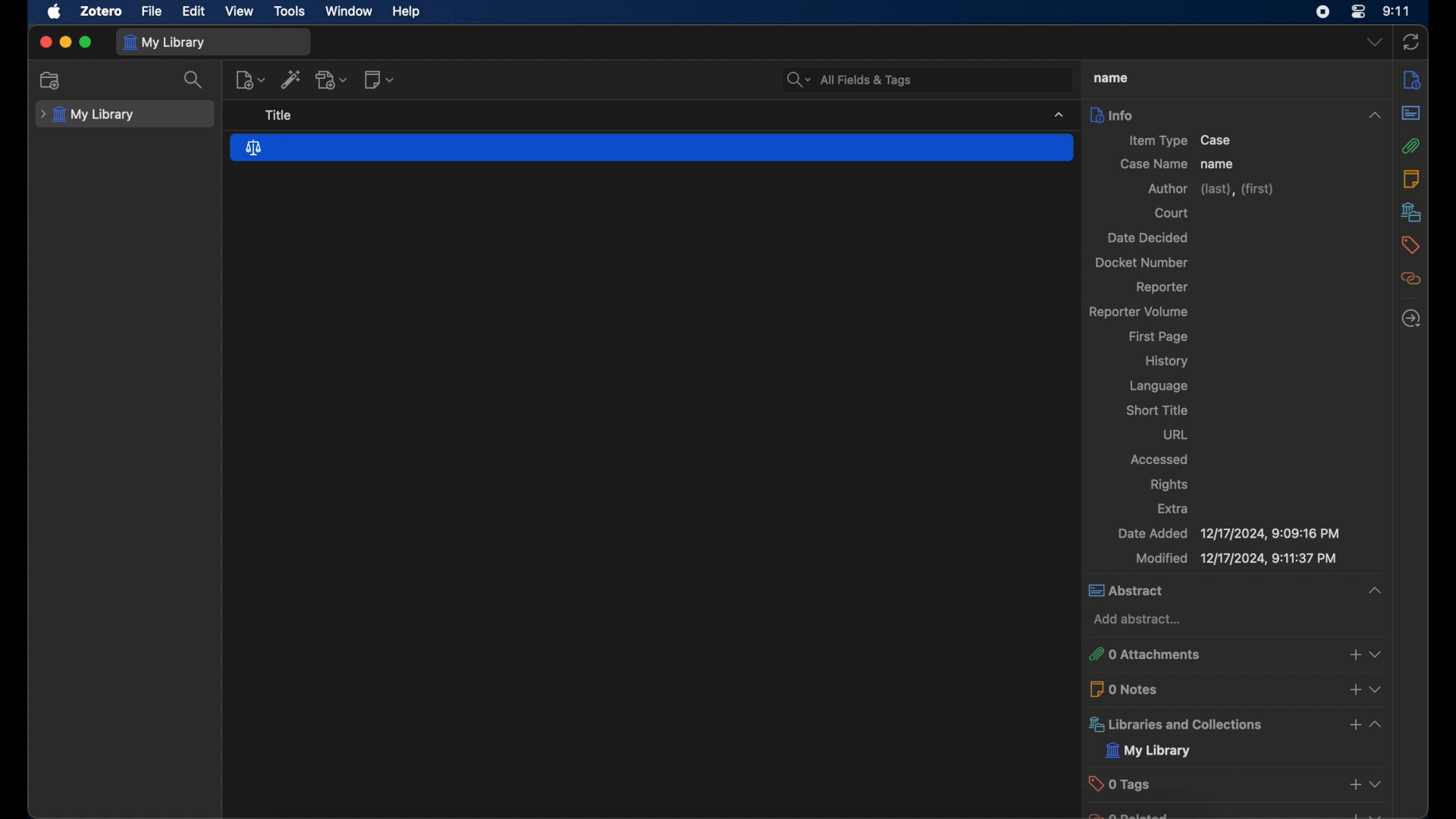 The image size is (1456, 819). I want to click on new note, so click(379, 80).